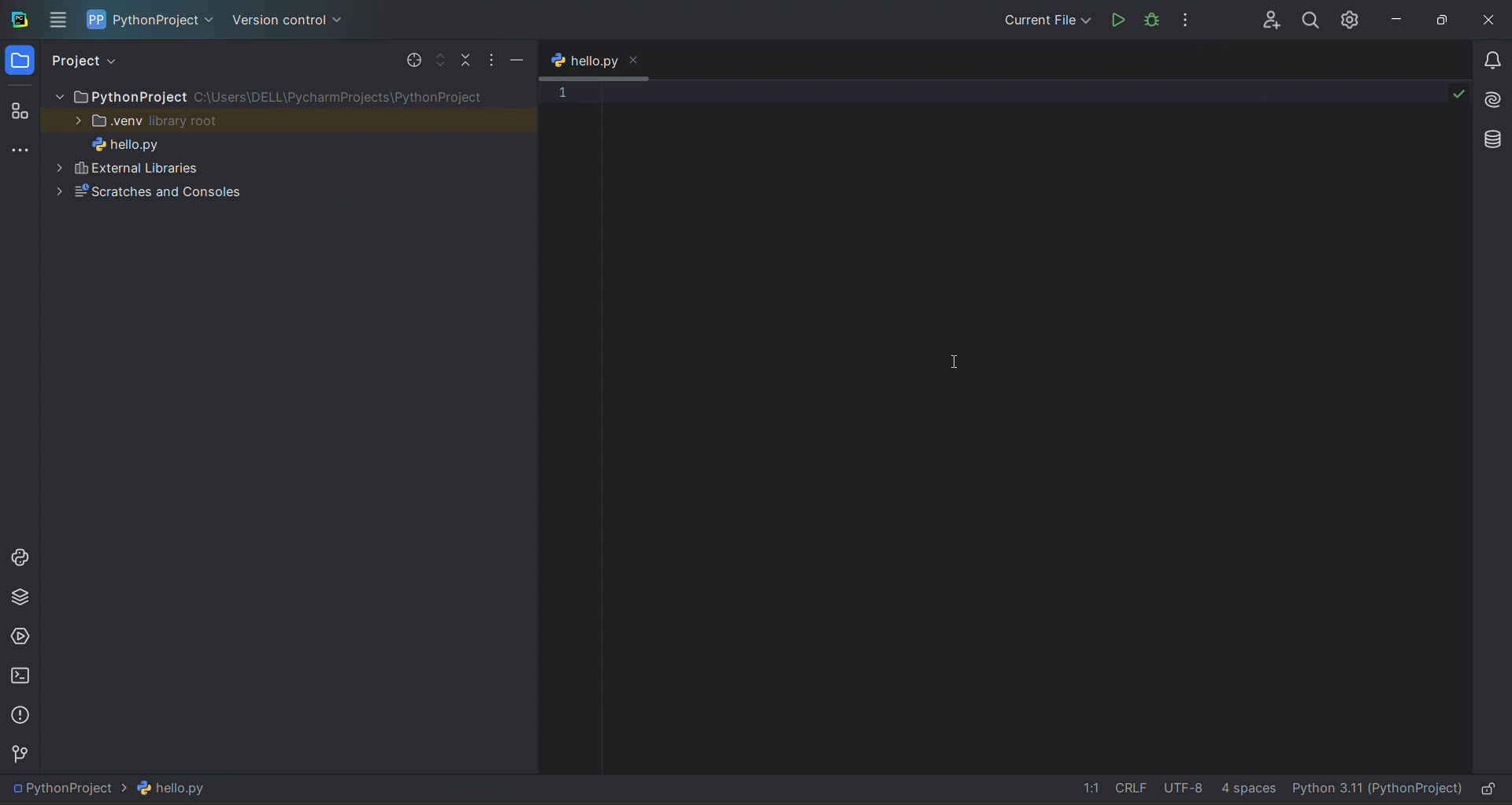 The height and width of the screenshot is (805, 1512). What do you see at coordinates (1403, 19) in the screenshot?
I see `minimize` at bounding box center [1403, 19].